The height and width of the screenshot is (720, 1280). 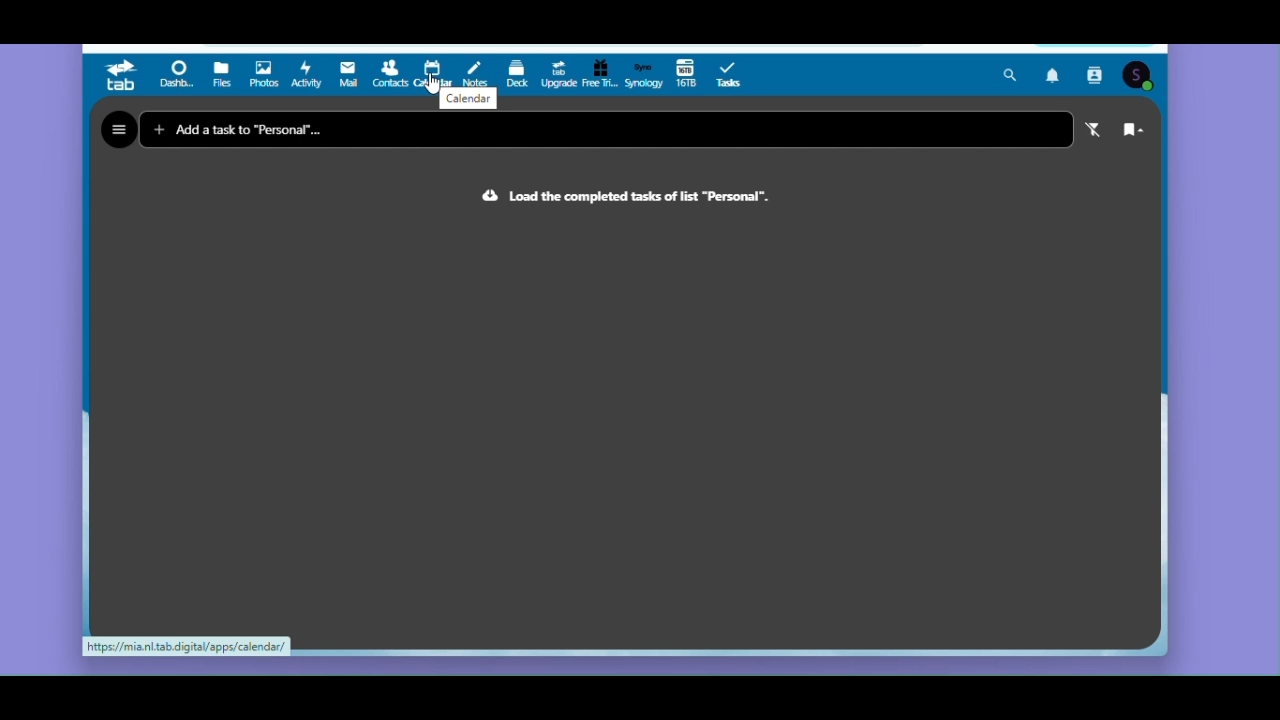 What do you see at coordinates (476, 71) in the screenshot?
I see `Notes` at bounding box center [476, 71].